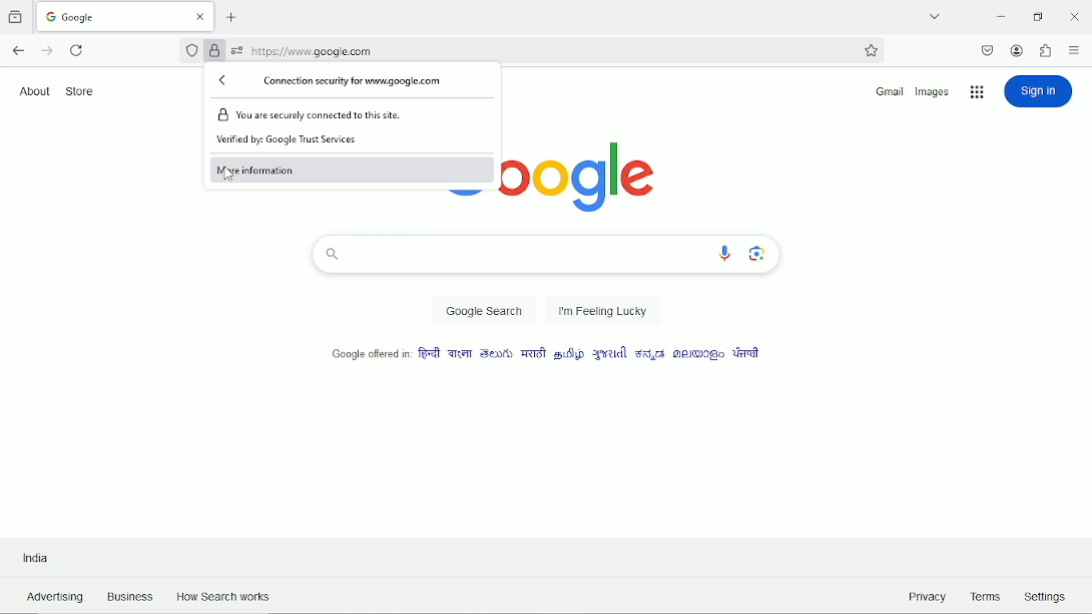 Image resolution: width=1092 pixels, height=614 pixels. Describe the element at coordinates (312, 115) in the screenshot. I see `You are securely connected to this site.` at that location.